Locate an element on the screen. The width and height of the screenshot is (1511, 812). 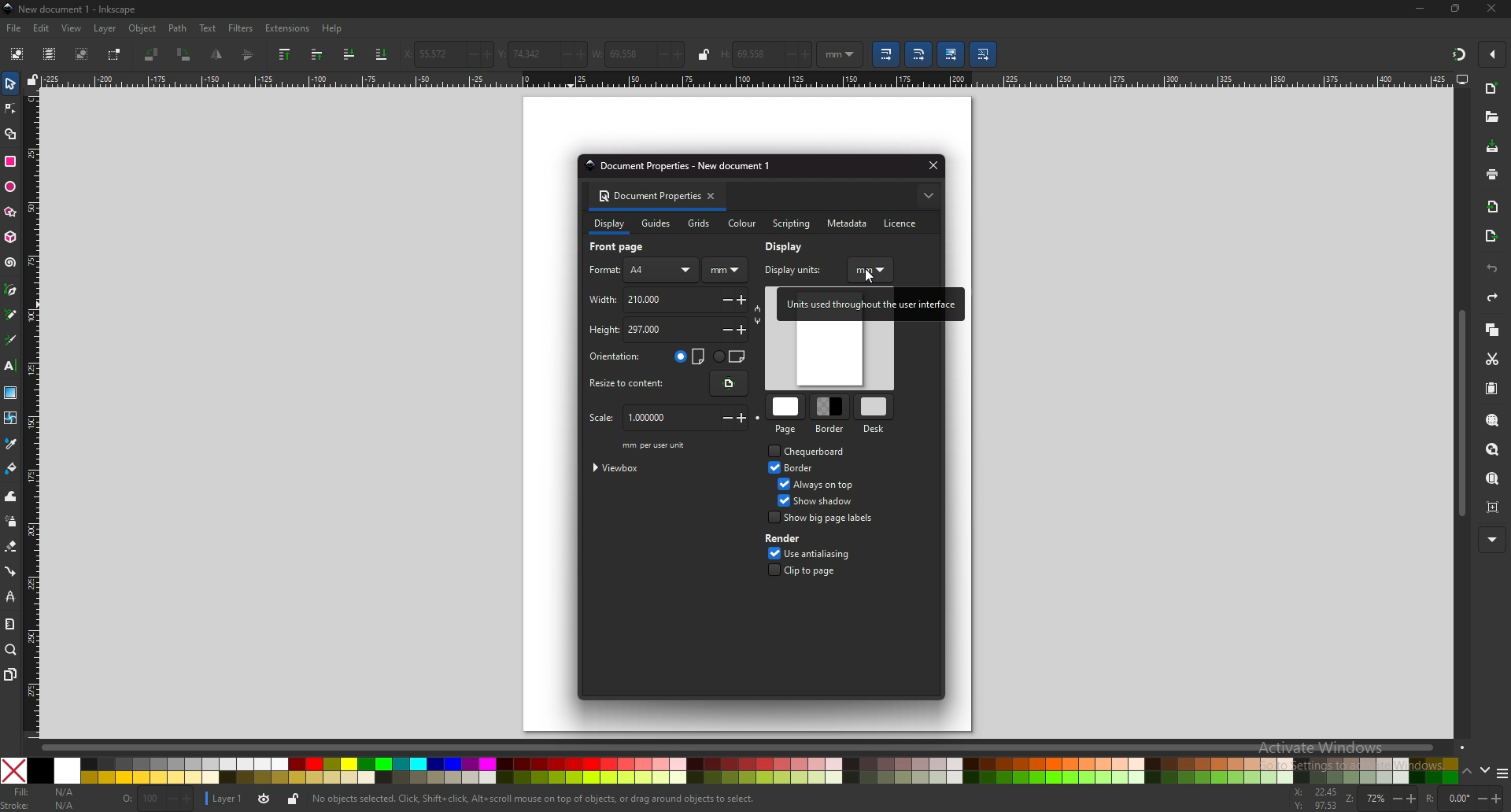
portrait is located at coordinates (690, 356).